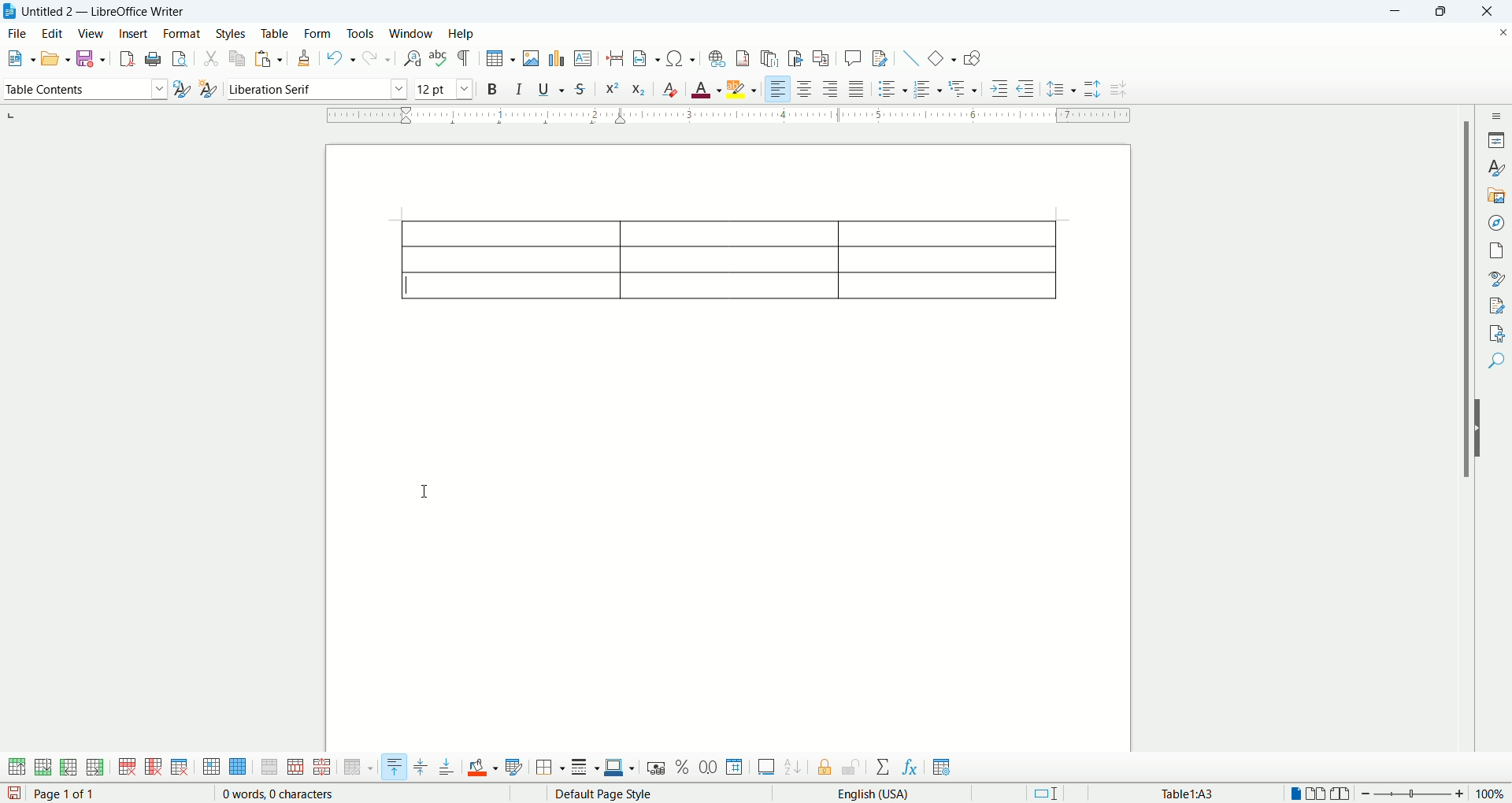 Image resolution: width=1512 pixels, height=803 pixels. What do you see at coordinates (971, 57) in the screenshot?
I see `draw function` at bounding box center [971, 57].